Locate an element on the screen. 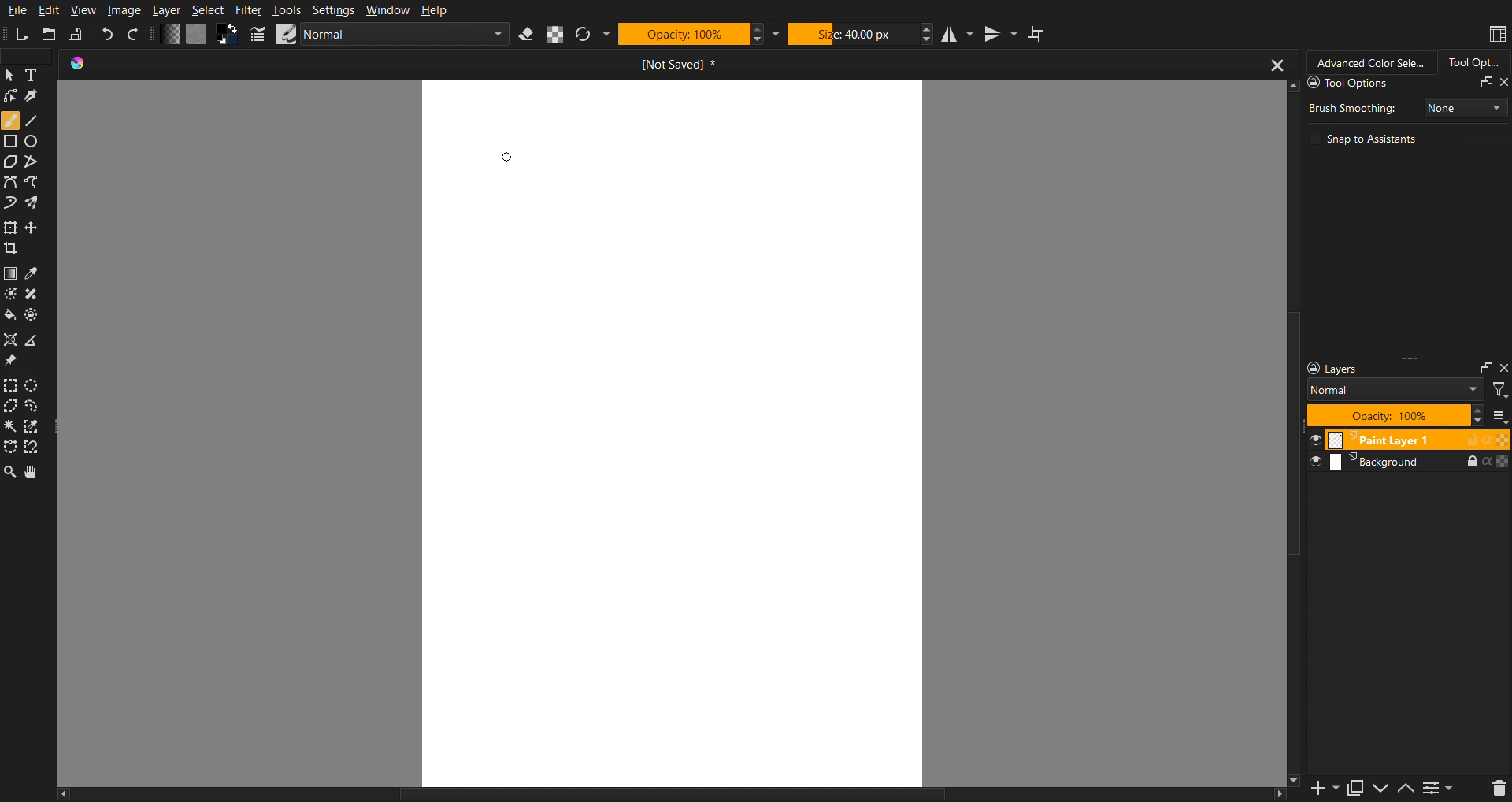 This screenshot has width=1512, height=802. Layers is located at coordinates (1405, 463).